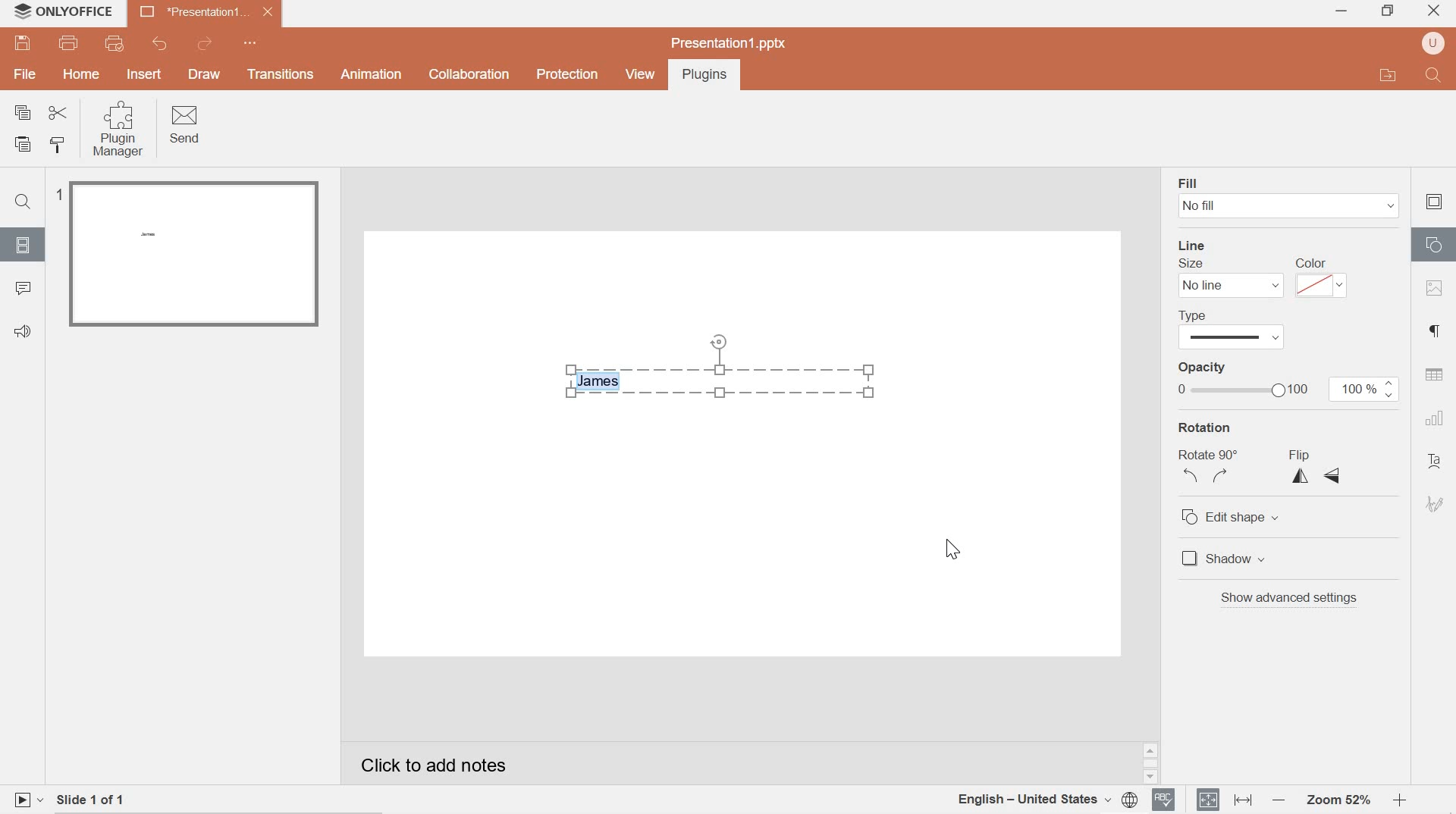 The height and width of the screenshot is (814, 1456). I want to click on No fill, so click(1287, 206).